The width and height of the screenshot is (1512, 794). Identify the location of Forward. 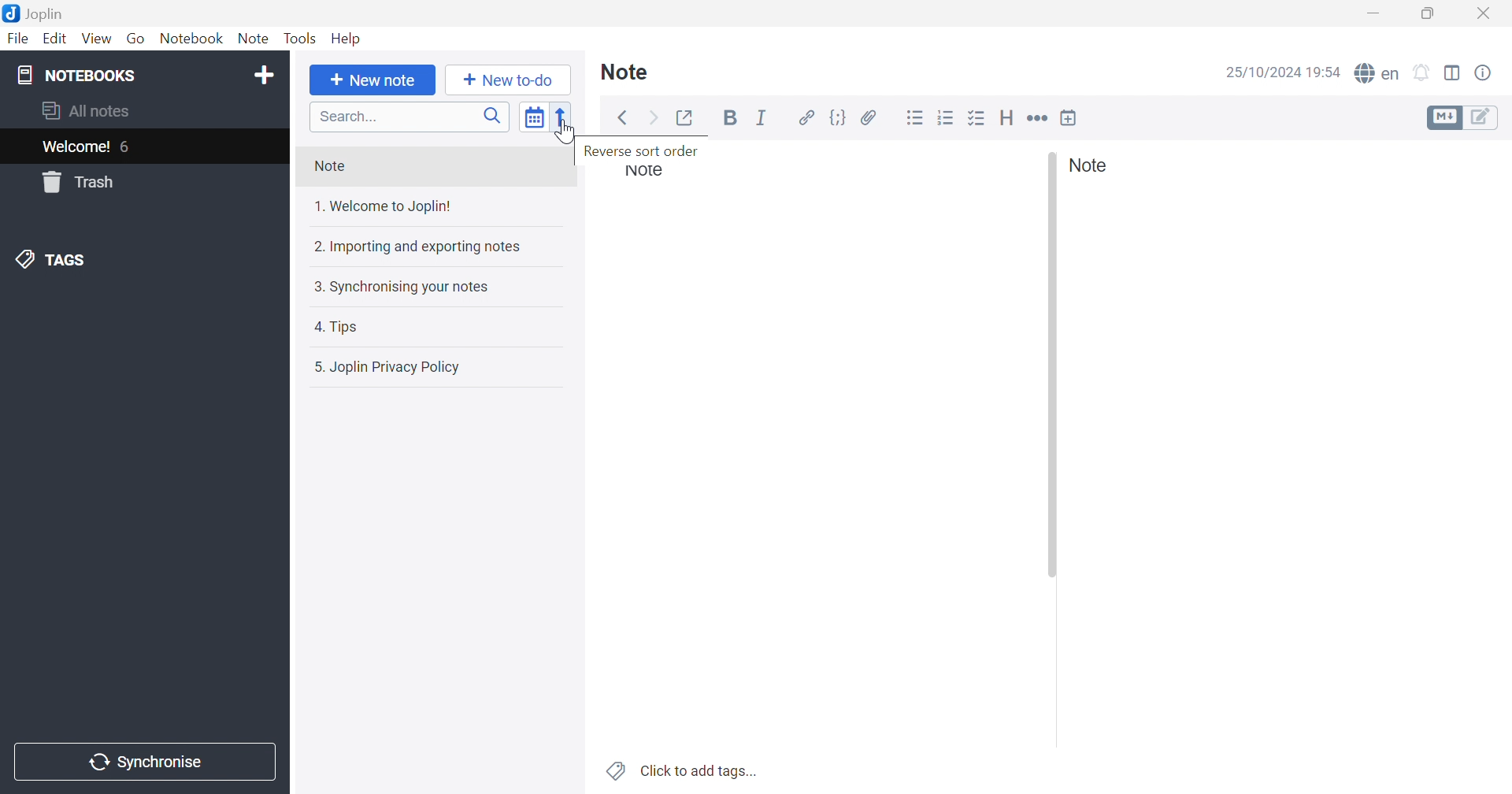
(654, 118).